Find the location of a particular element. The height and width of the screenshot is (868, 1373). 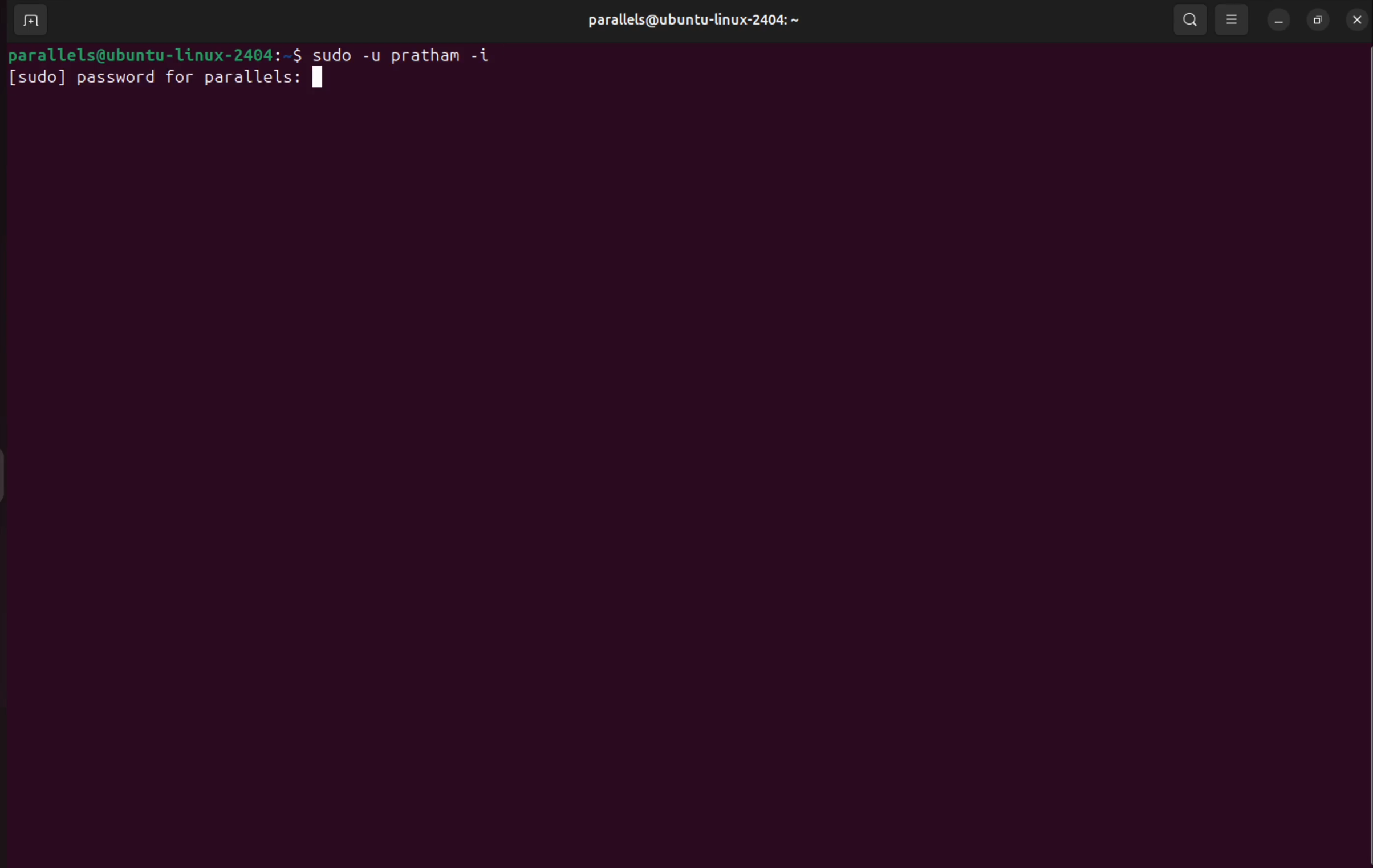

sudo passwords for parallels is located at coordinates (170, 76).